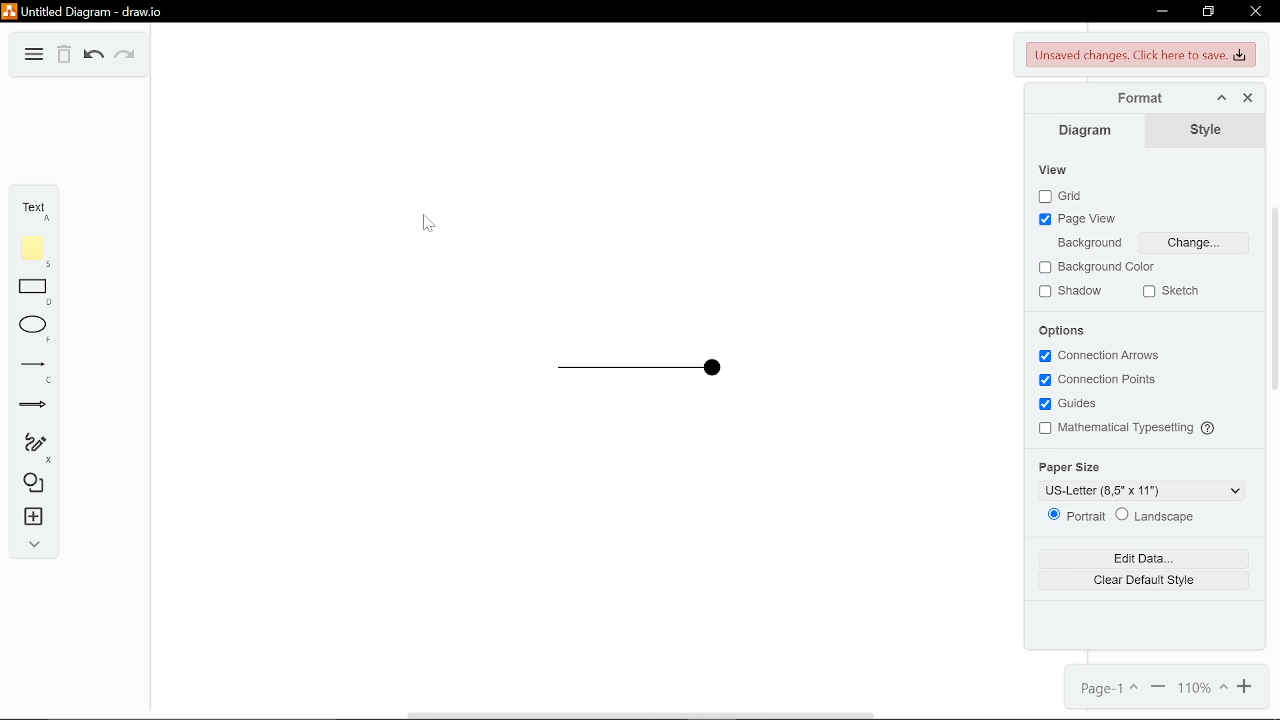 This screenshot has height=720, width=1280. I want to click on Scroll Bar, so click(647, 709).